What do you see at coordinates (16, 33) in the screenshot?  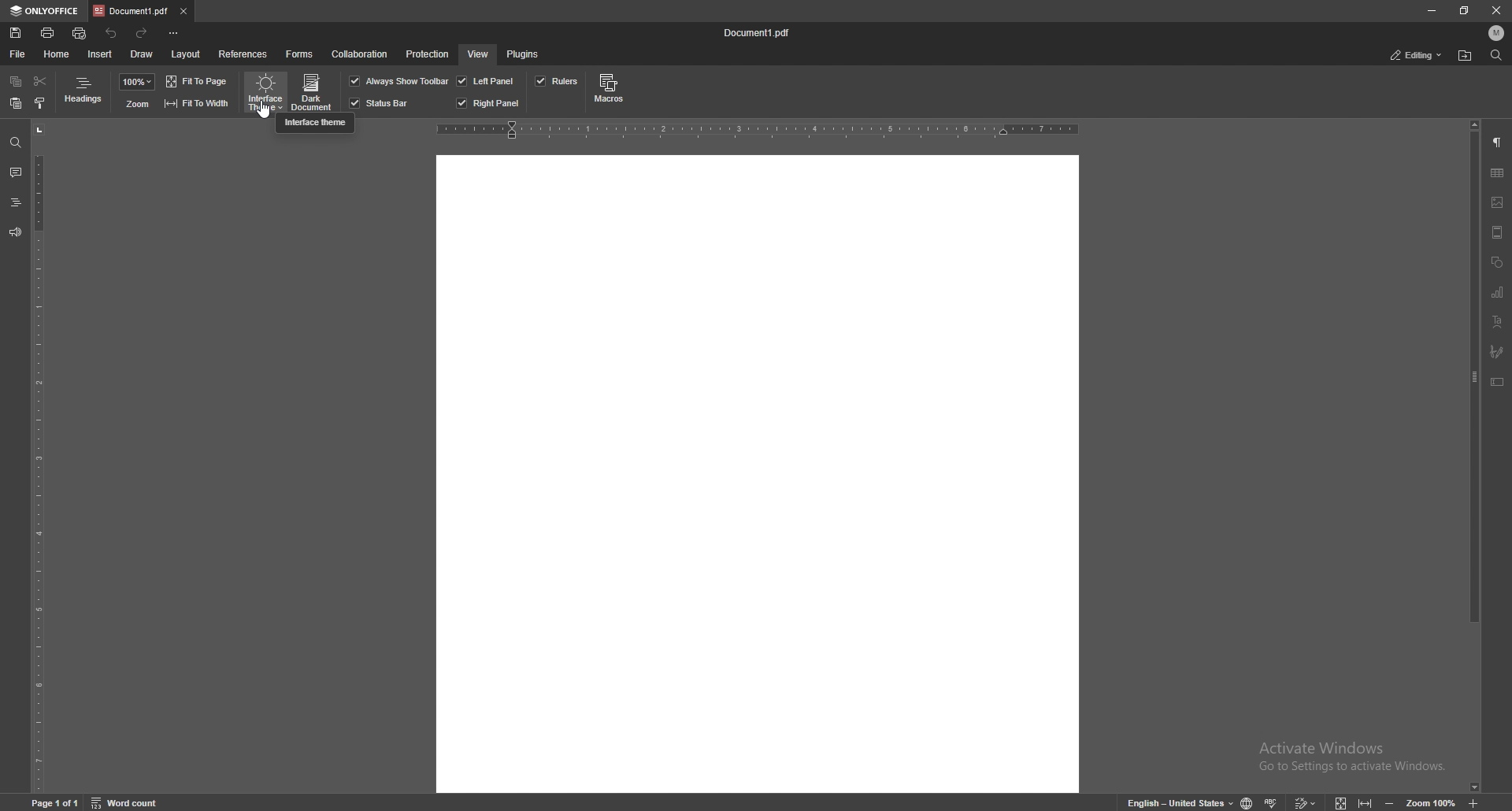 I see `save` at bounding box center [16, 33].